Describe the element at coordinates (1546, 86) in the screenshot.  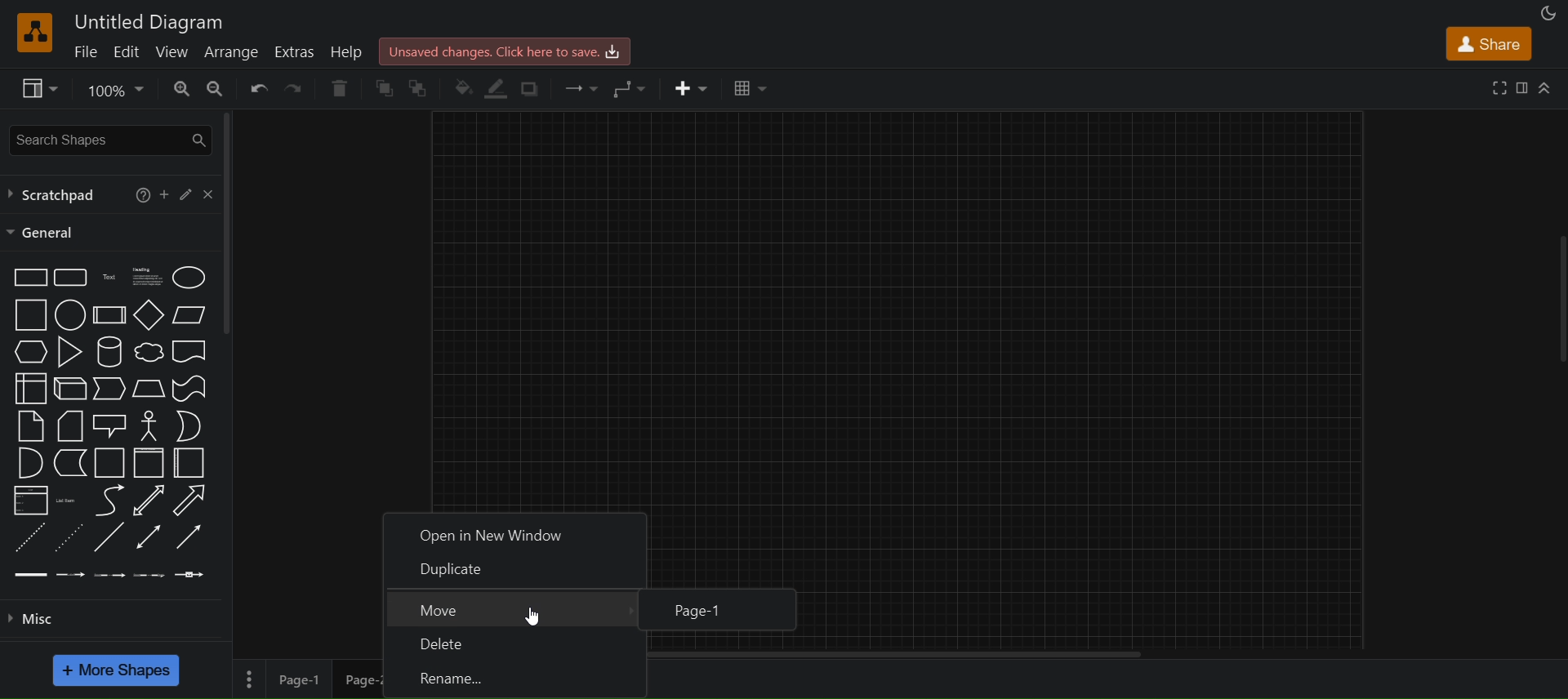
I see `collapse/expand` at that location.